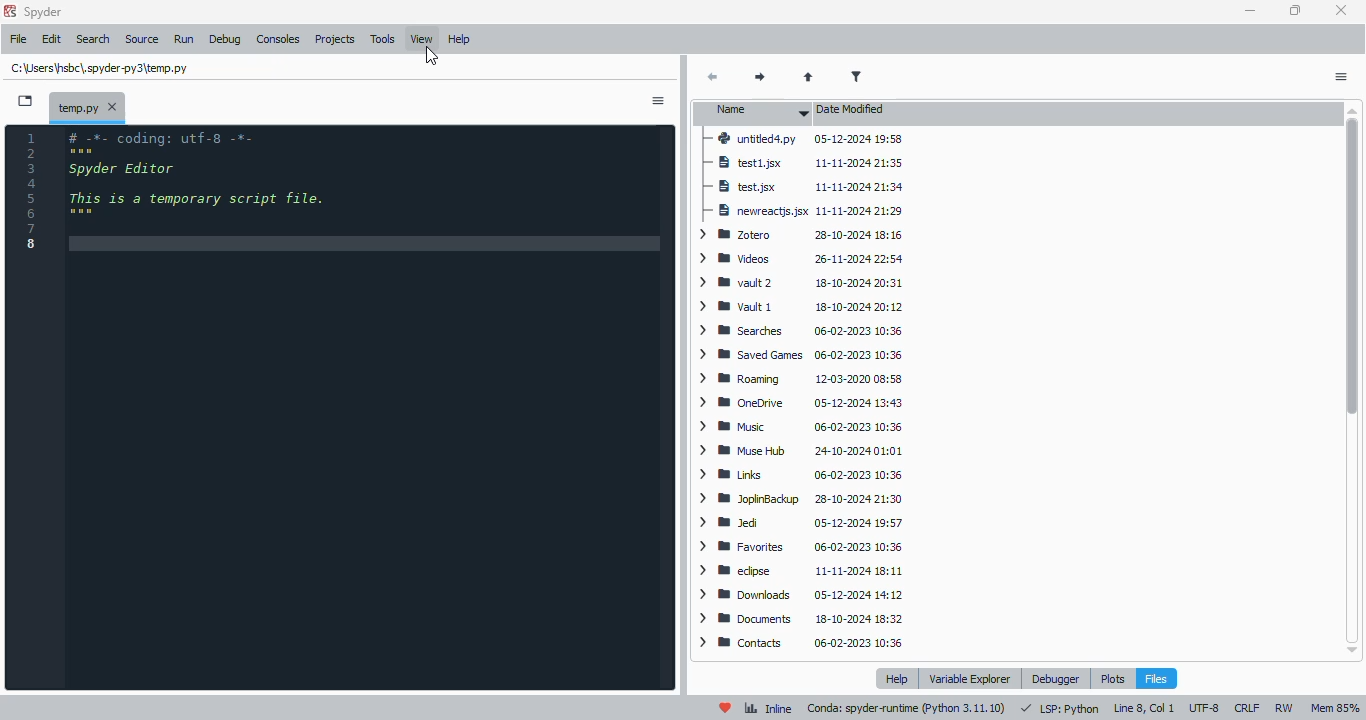  What do you see at coordinates (1056, 679) in the screenshot?
I see `debugger` at bounding box center [1056, 679].